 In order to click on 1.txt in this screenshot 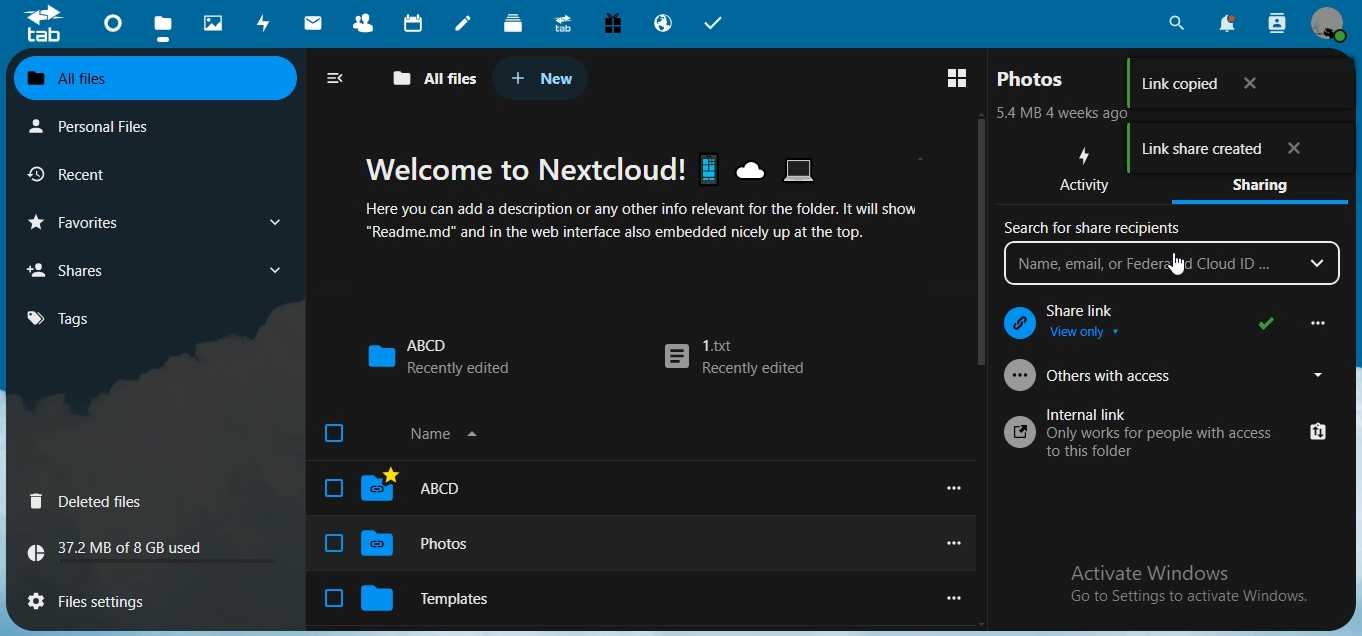, I will do `click(737, 357)`.